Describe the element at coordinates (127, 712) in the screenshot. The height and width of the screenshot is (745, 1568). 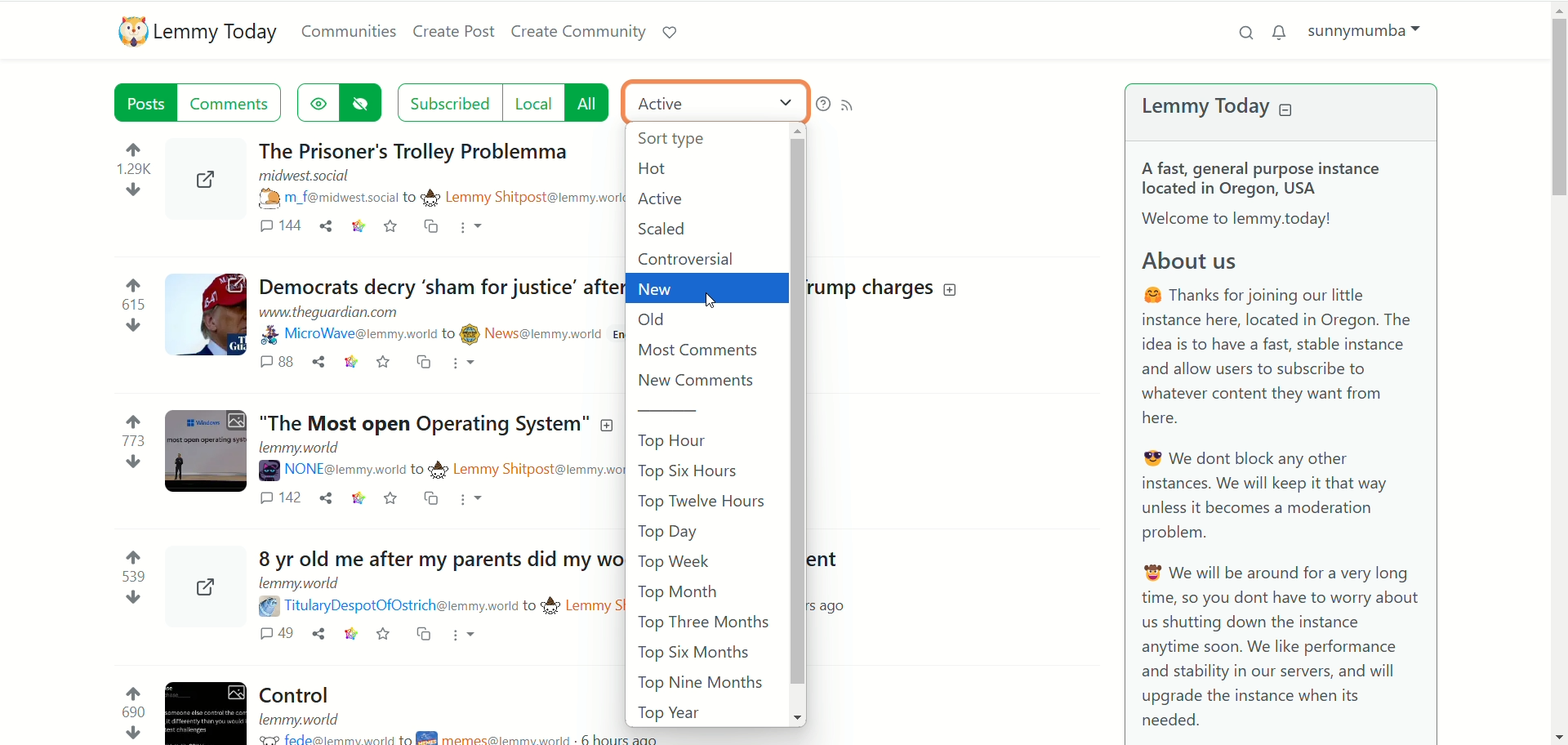
I see `votes` at that location.